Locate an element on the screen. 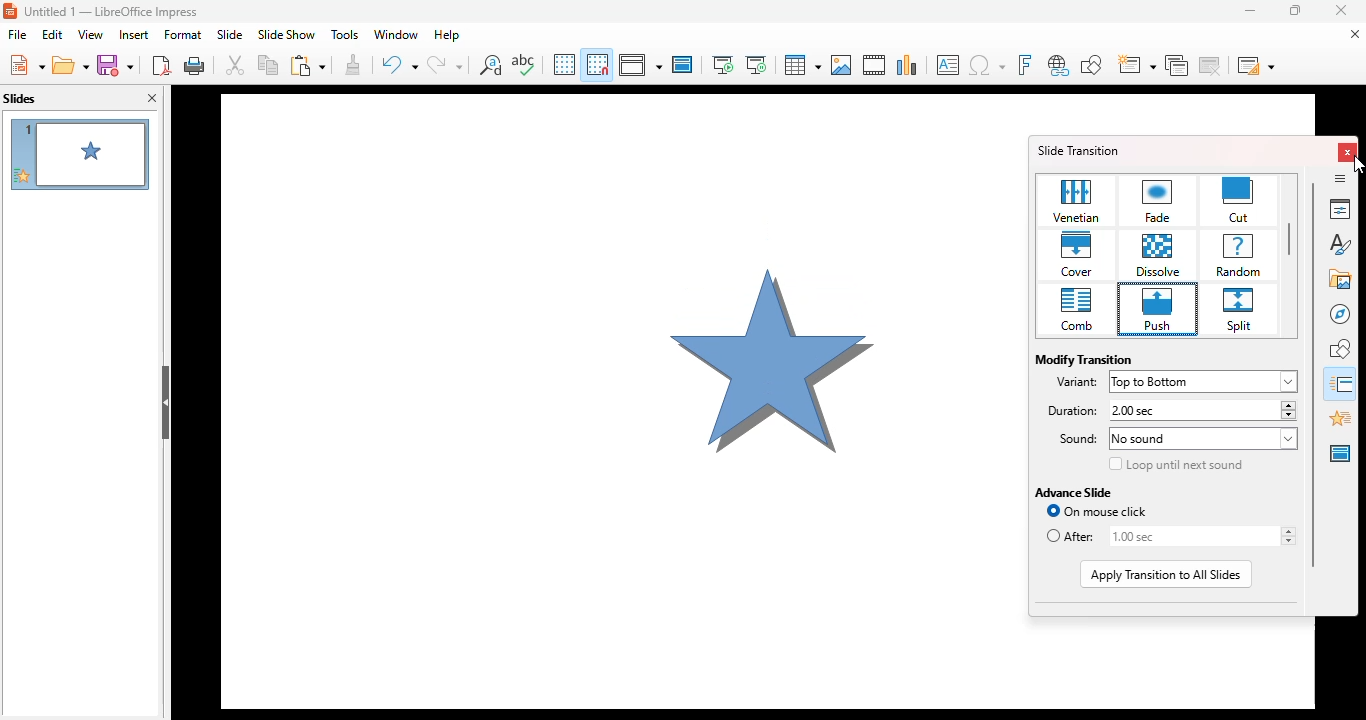 This screenshot has height=720, width=1366. 2.00 sec is located at coordinates (1194, 411).